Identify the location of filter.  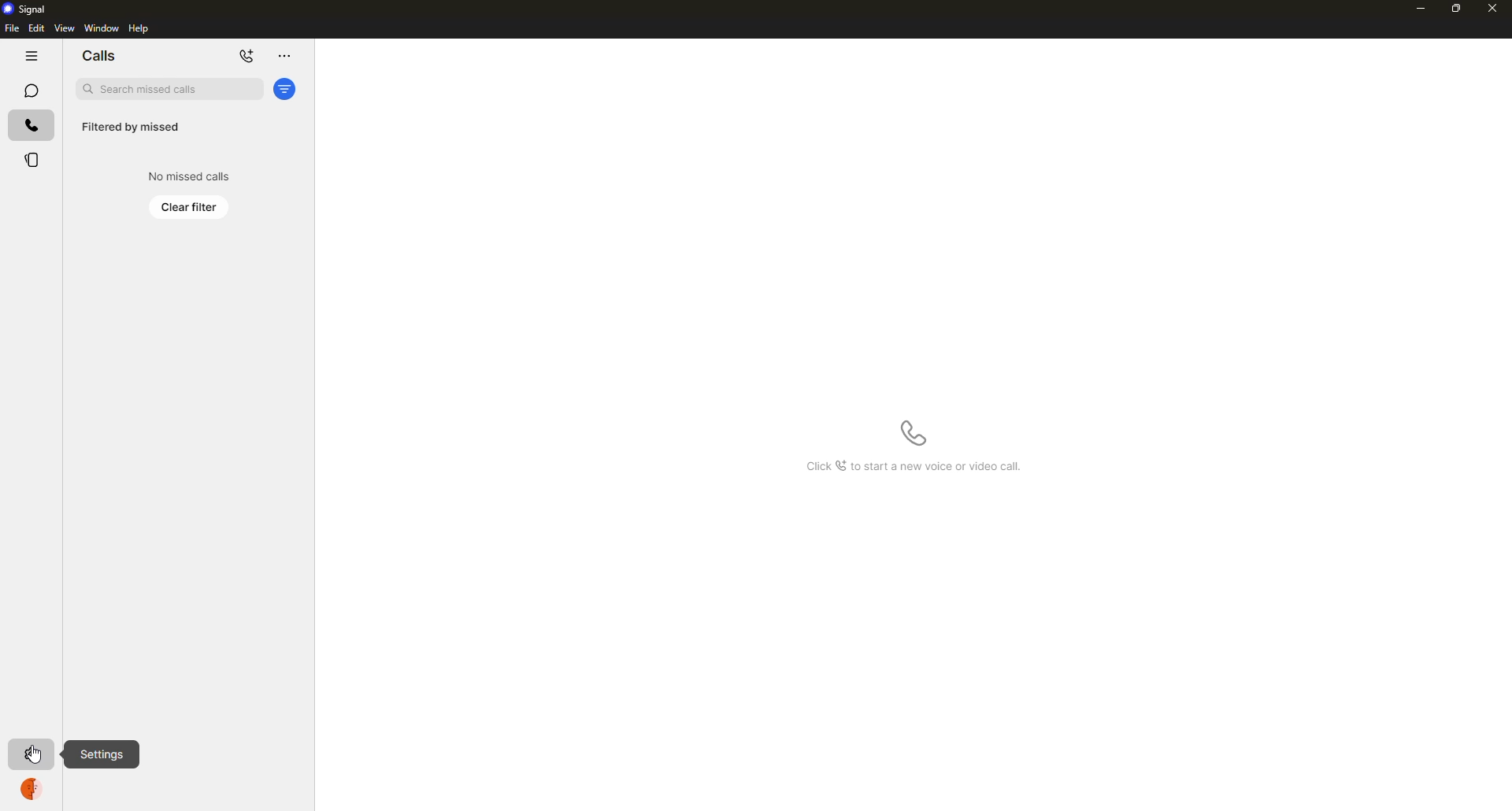
(285, 90).